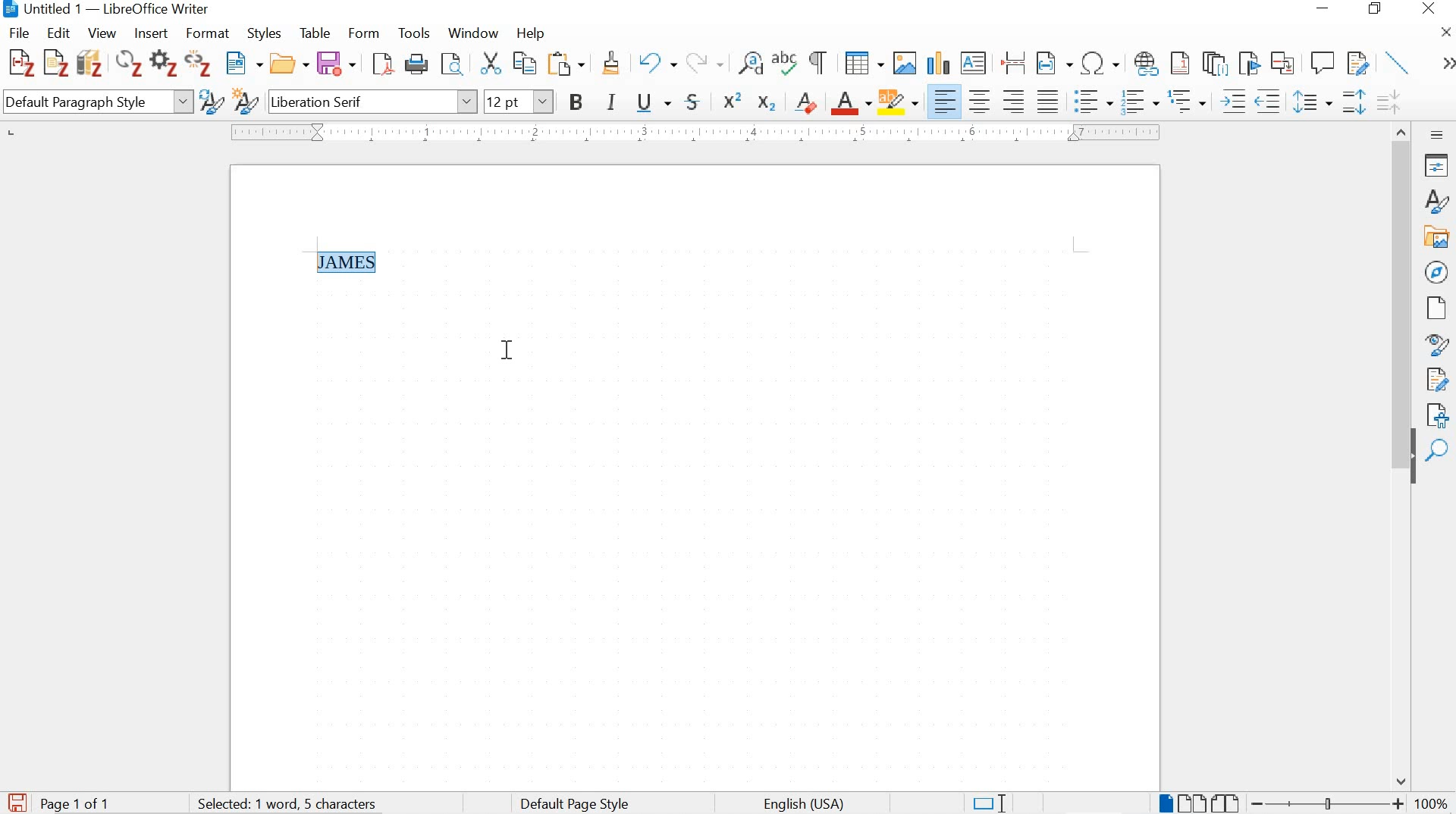  I want to click on format, so click(210, 33).